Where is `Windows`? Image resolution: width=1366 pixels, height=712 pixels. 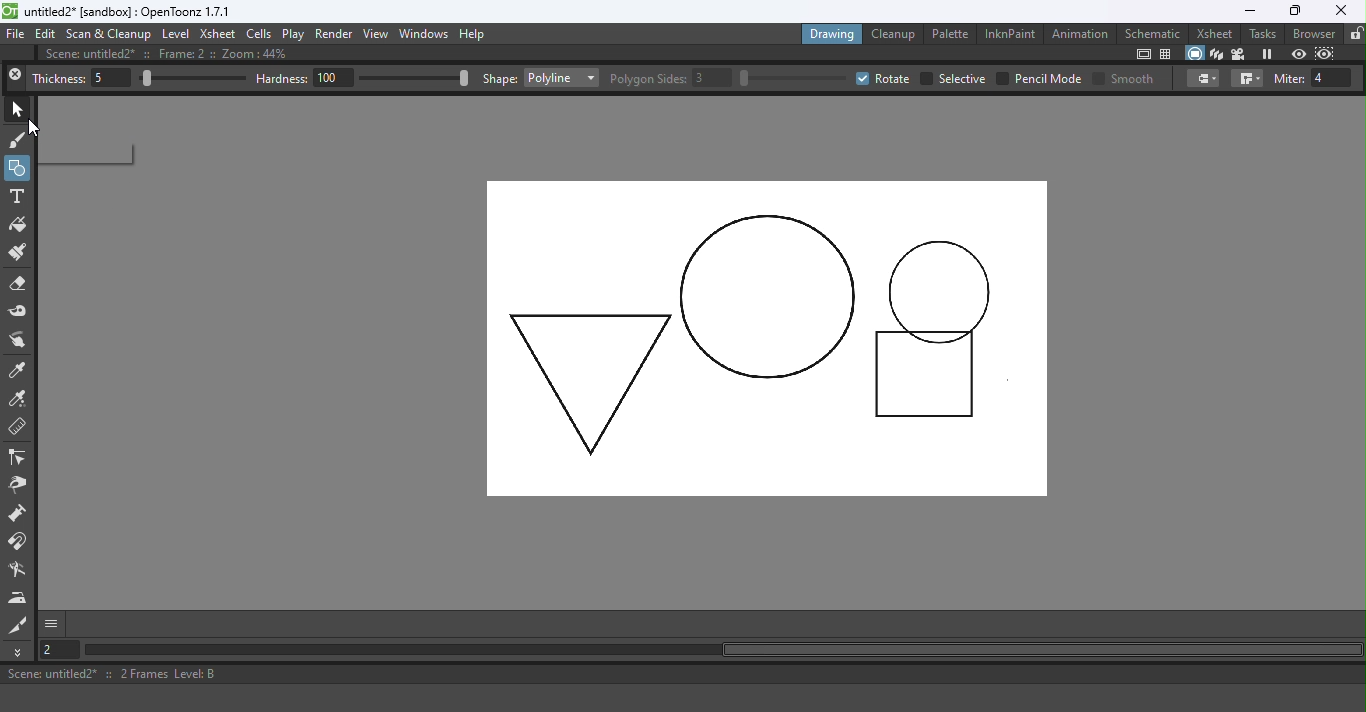 Windows is located at coordinates (423, 35).